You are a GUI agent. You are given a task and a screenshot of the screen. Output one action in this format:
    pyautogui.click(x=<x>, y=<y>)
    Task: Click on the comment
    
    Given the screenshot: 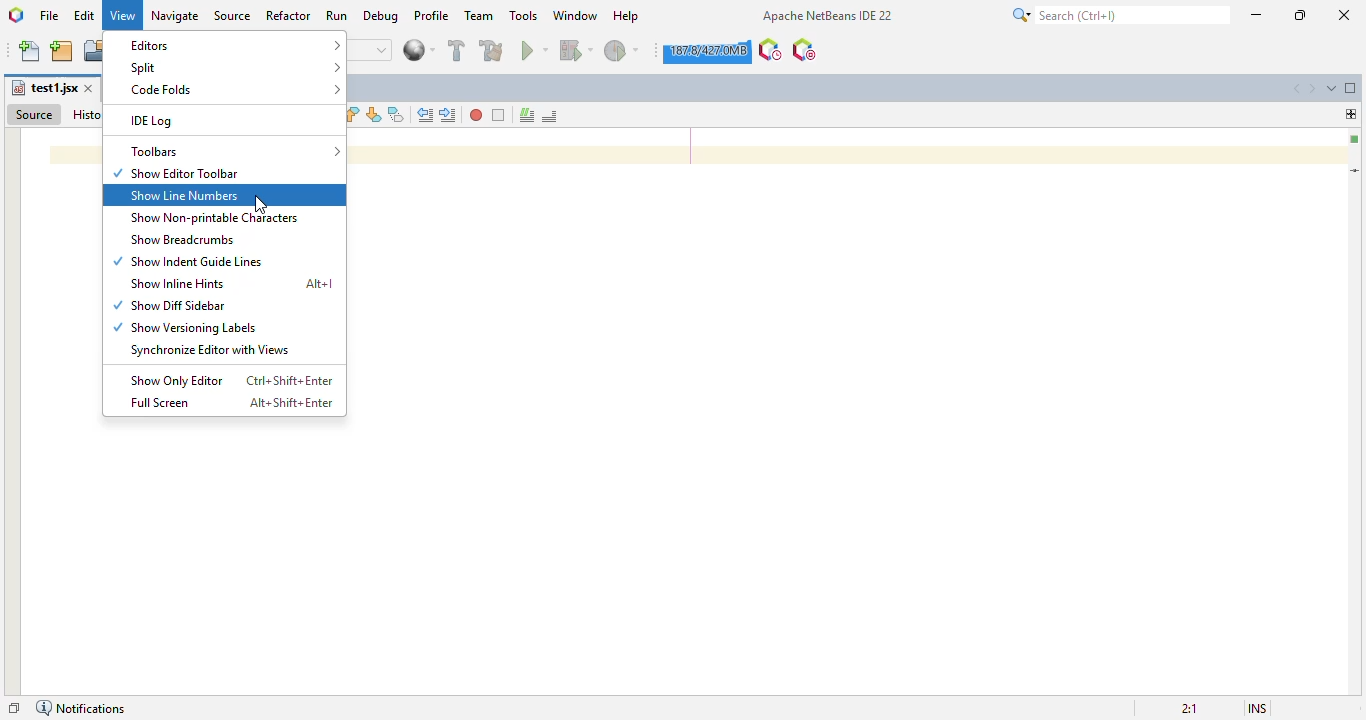 What is the action you would take?
    pyautogui.click(x=527, y=115)
    